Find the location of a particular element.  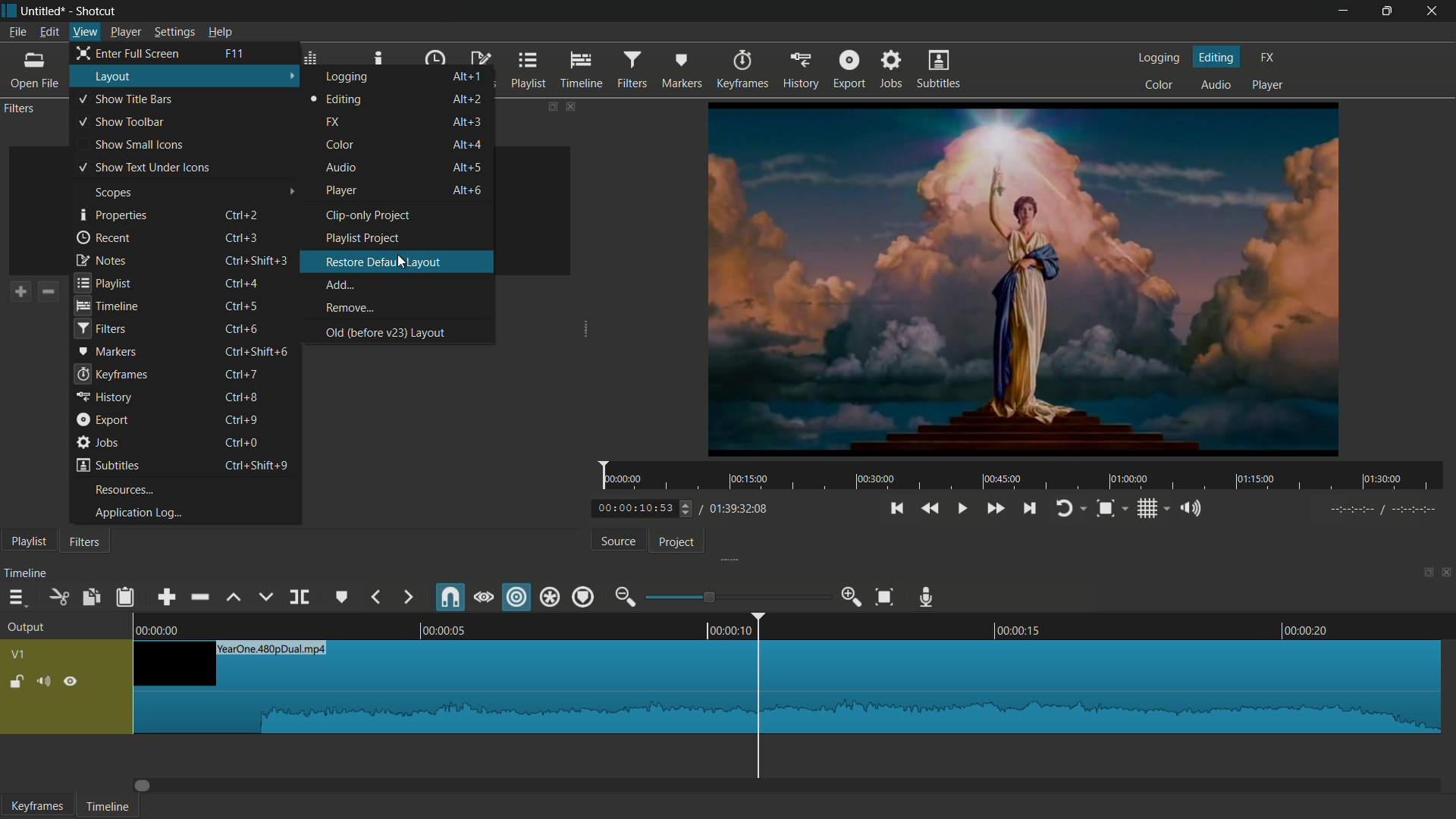

remove is located at coordinates (349, 309).